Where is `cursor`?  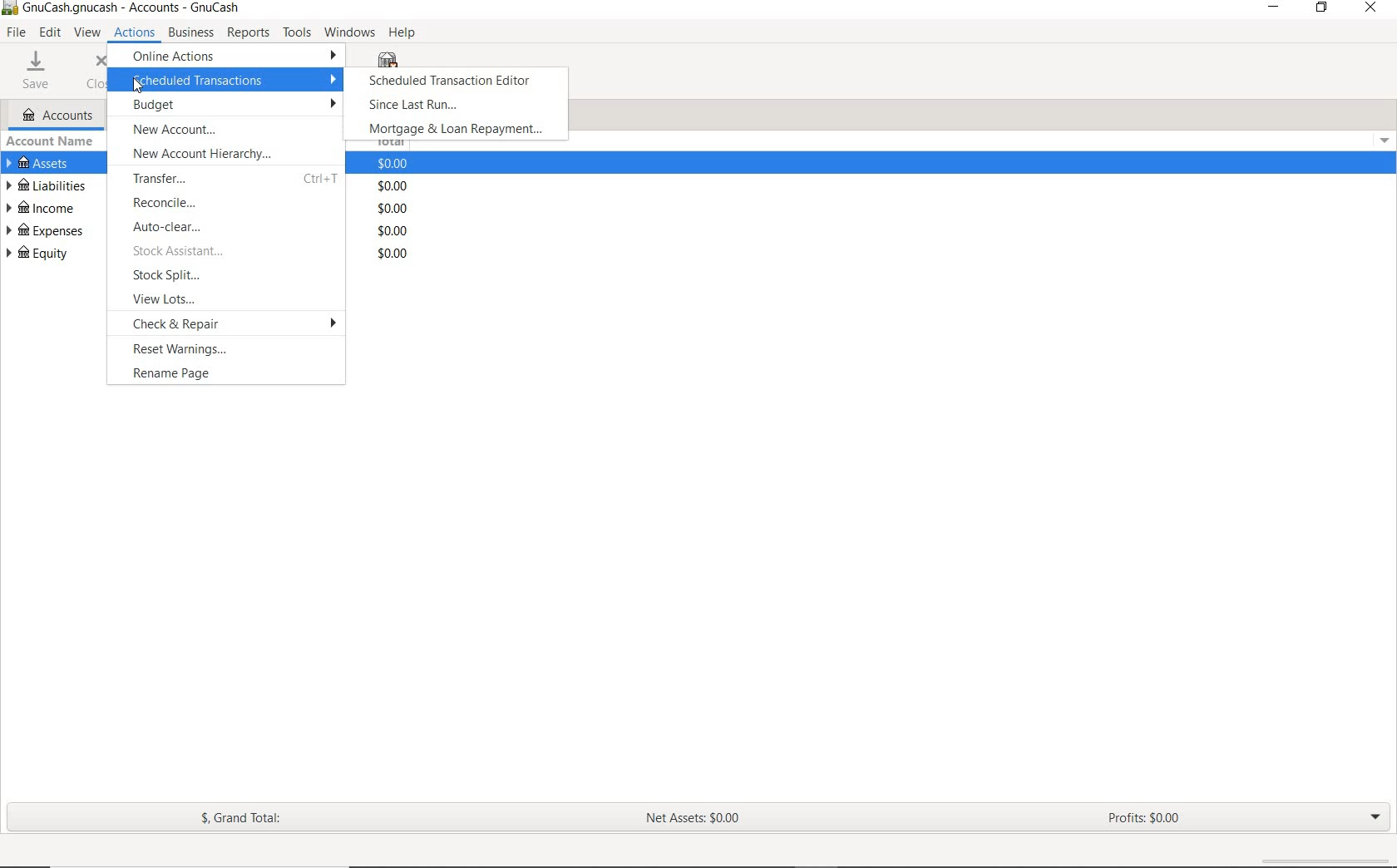
cursor is located at coordinates (139, 86).